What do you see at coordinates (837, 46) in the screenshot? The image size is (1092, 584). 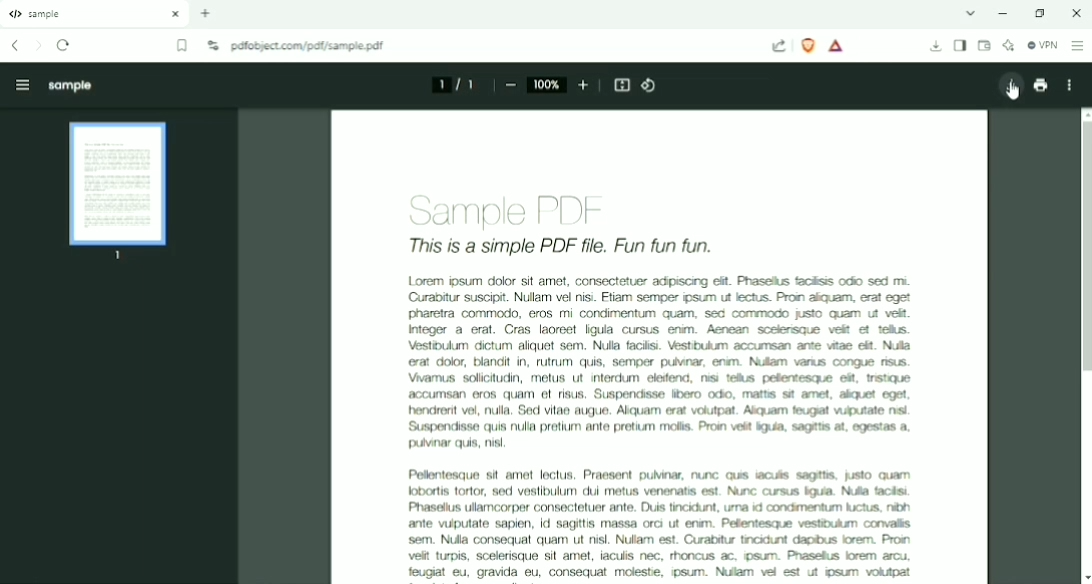 I see `Rewards` at bounding box center [837, 46].